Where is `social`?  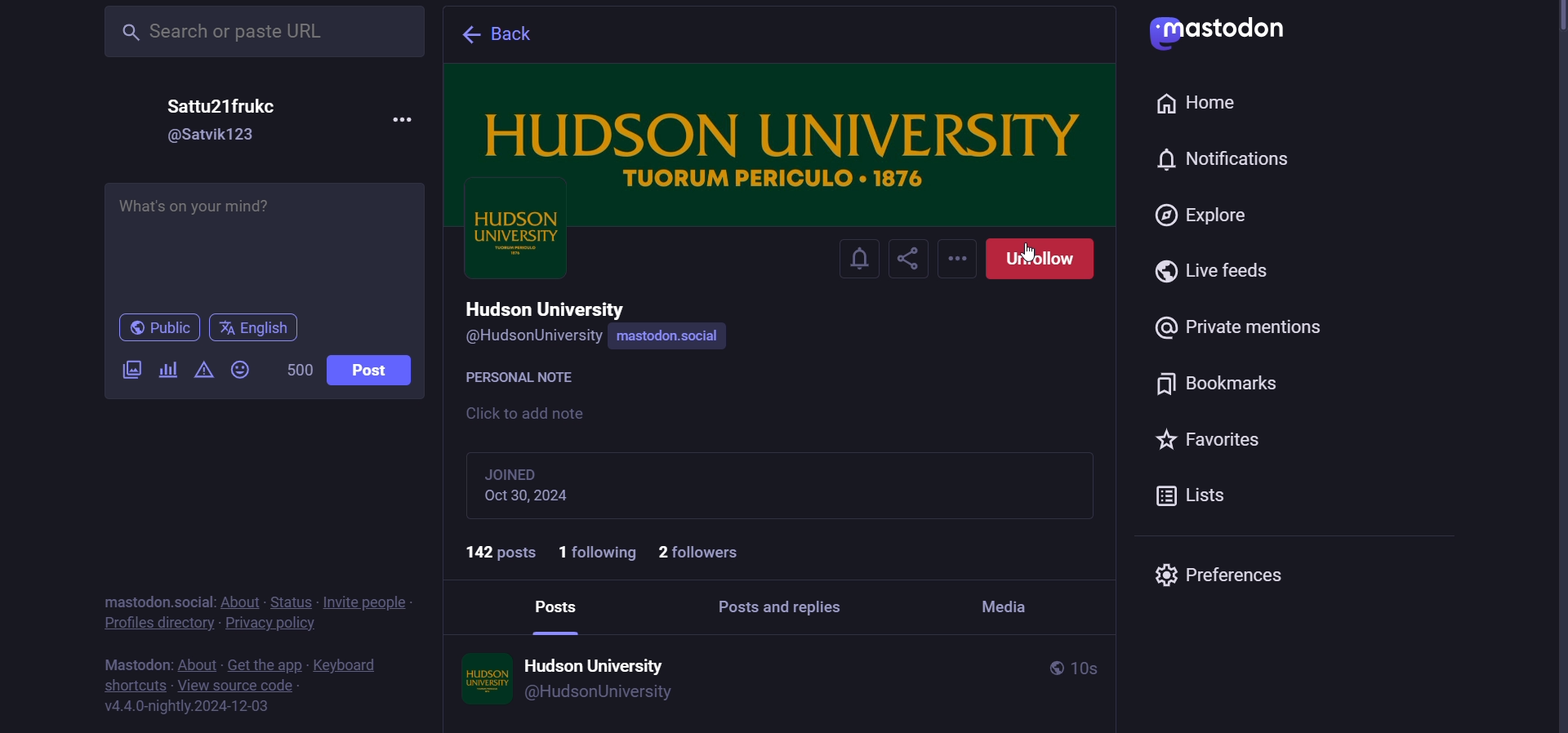
social is located at coordinates (194, 602).